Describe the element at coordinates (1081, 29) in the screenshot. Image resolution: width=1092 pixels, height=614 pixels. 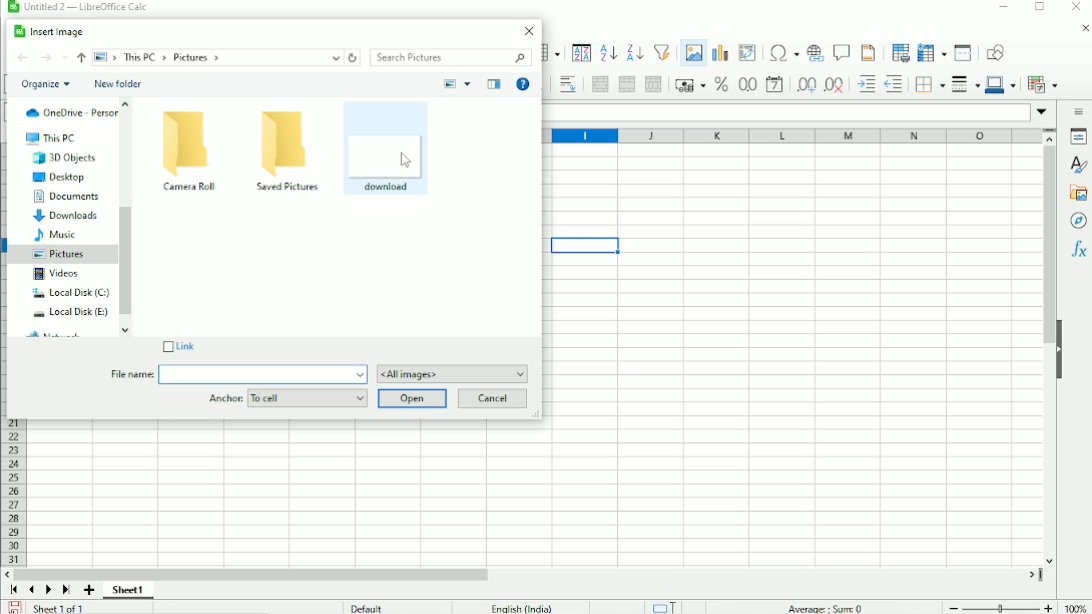
I see `Close document` at that location.